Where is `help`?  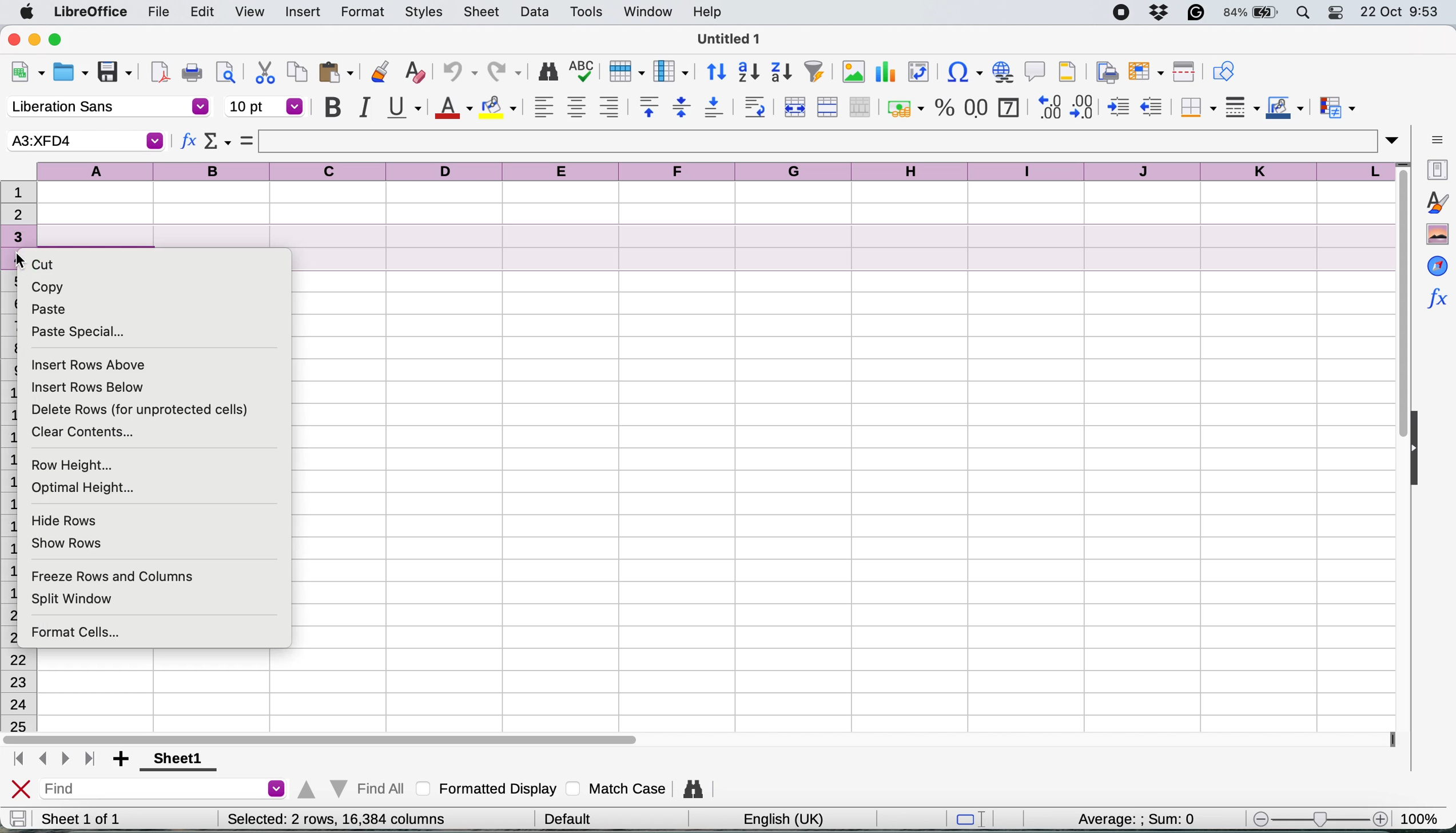
help is located at coordinates (710, 11).